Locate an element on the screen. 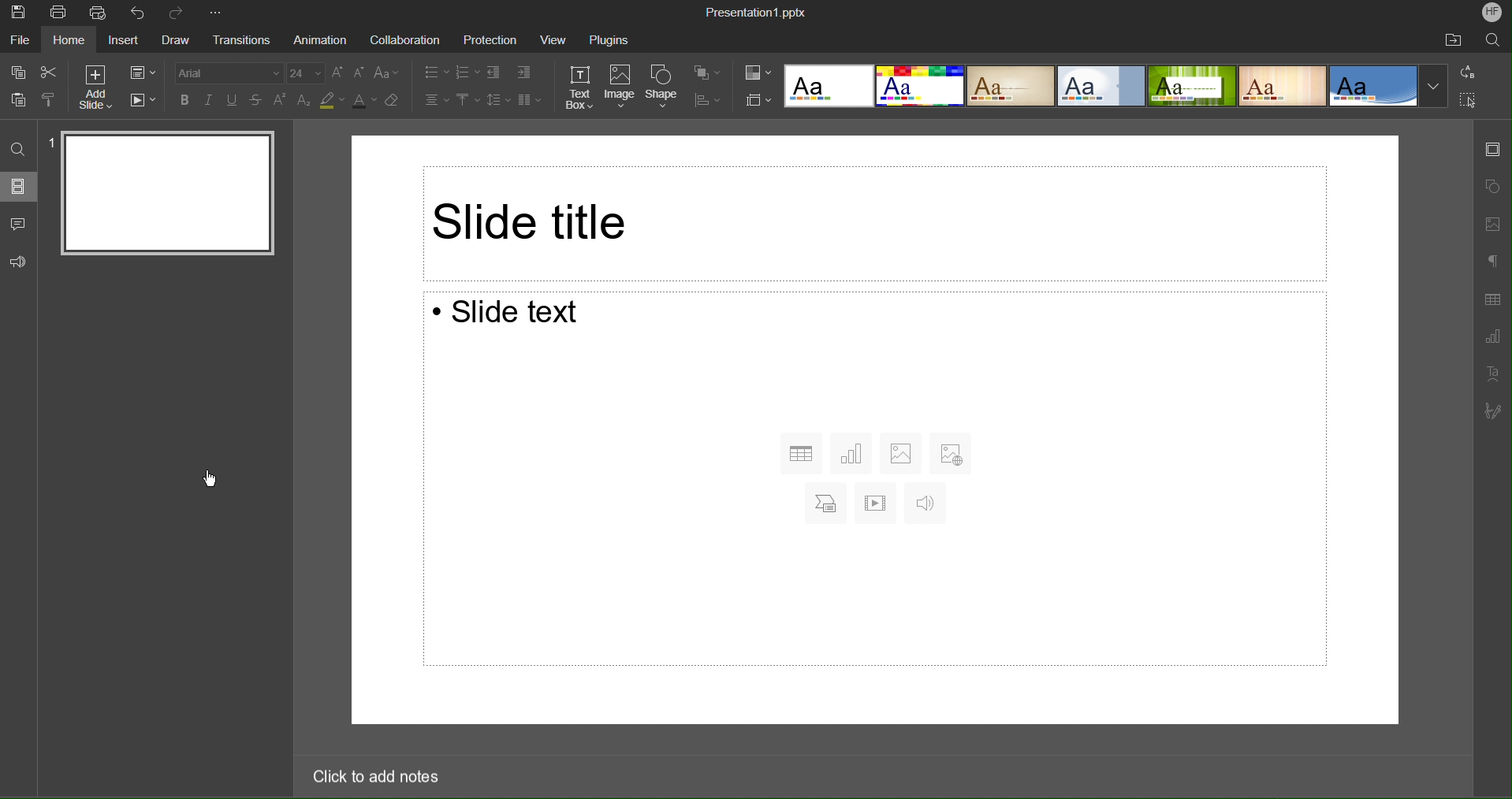  Paragraph Settings is located at coordinates (1491, 262).